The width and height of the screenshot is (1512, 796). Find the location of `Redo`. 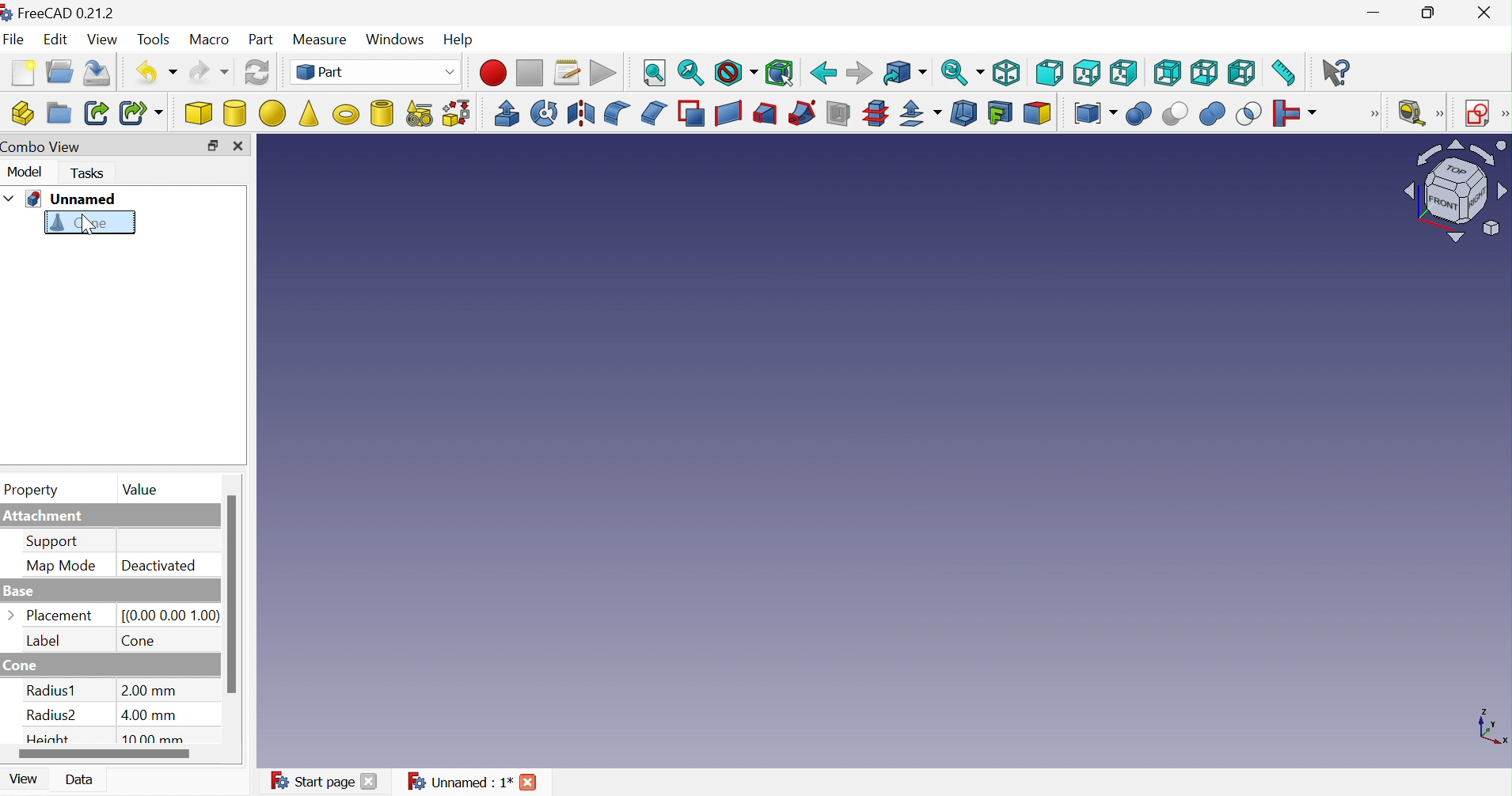

Redo is located at coordinates (208, 73).